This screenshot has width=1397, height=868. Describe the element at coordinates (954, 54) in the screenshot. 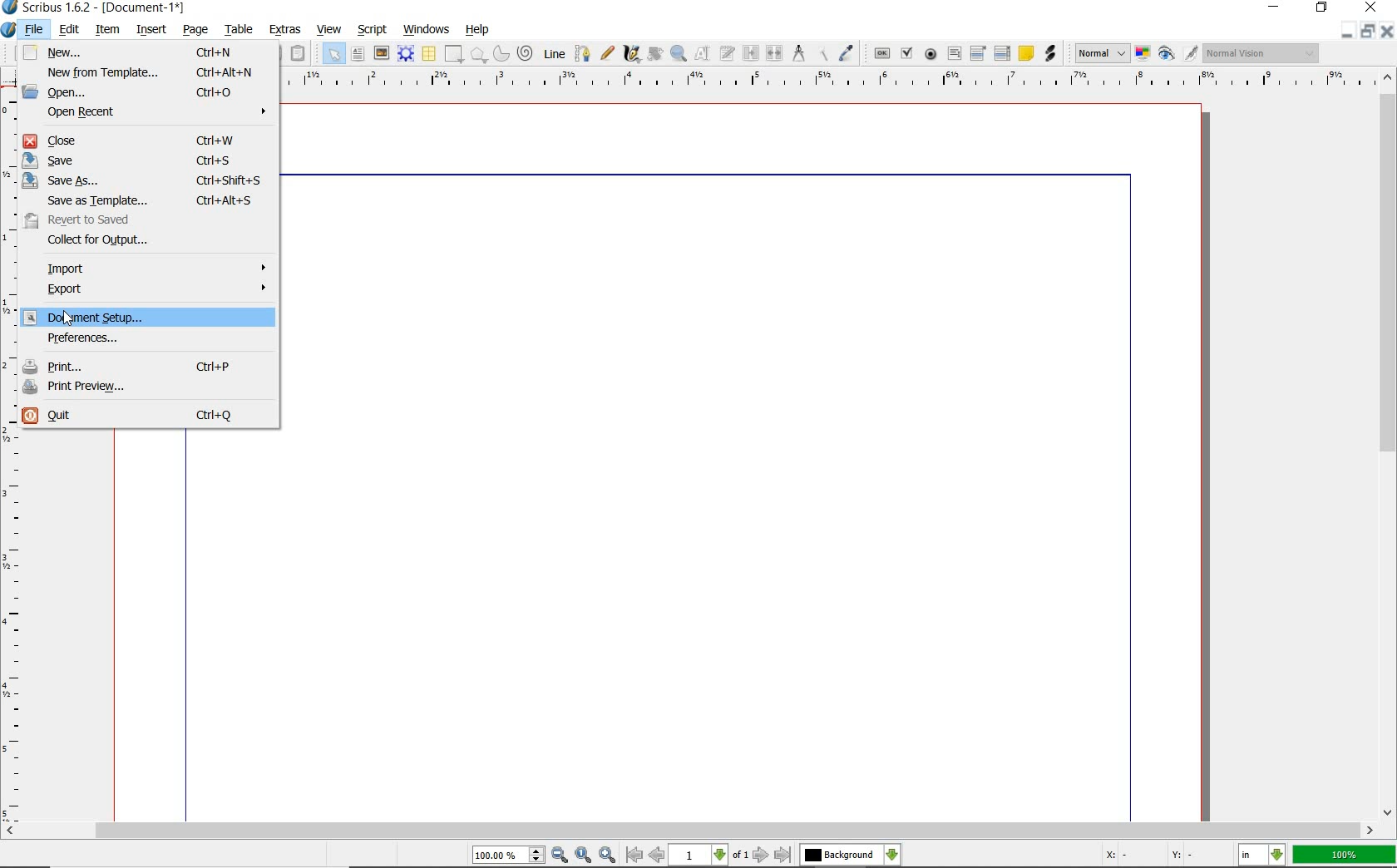

I see `pdf text field` at that location.